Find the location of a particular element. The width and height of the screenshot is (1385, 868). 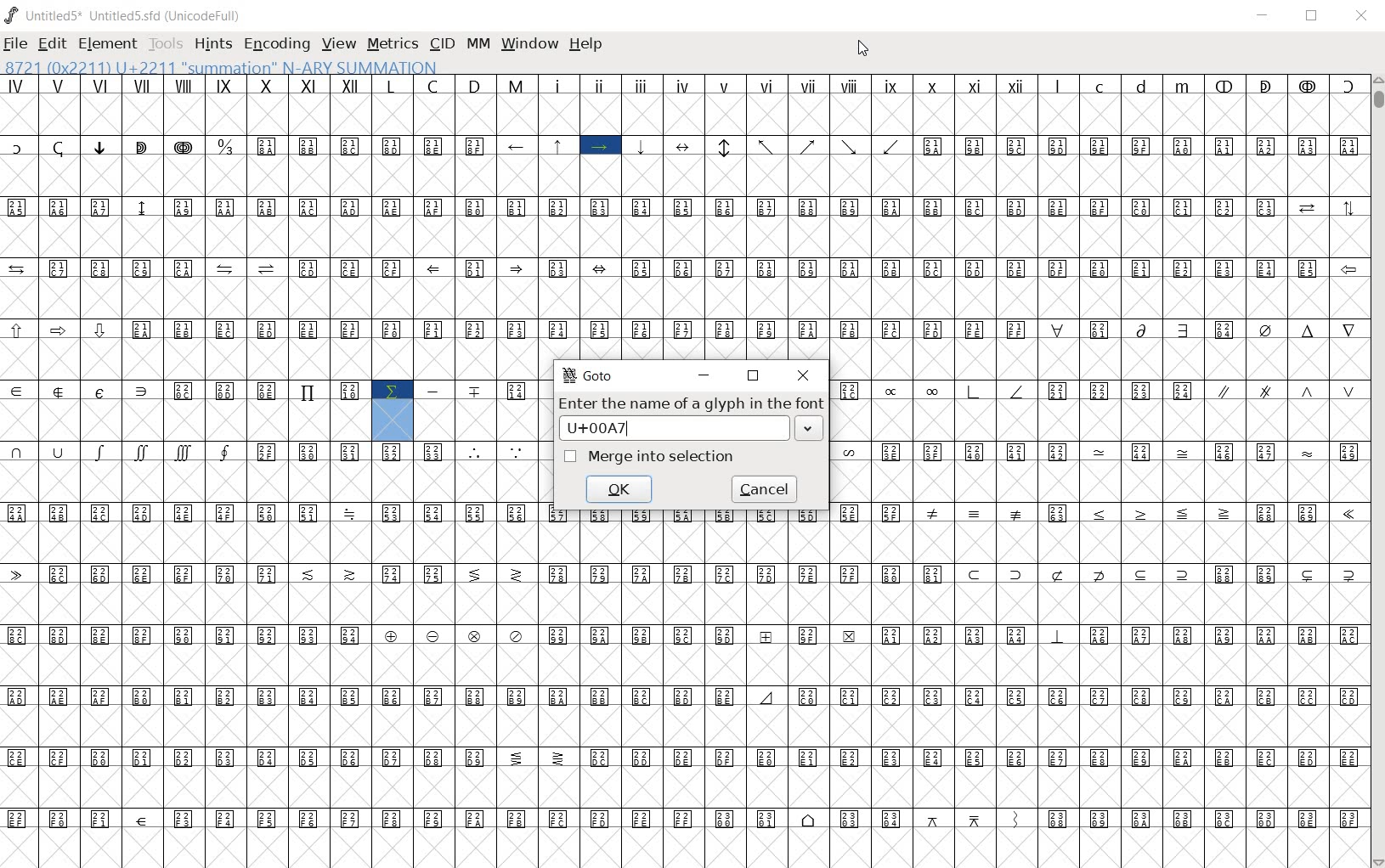

empty cells is located at coordinates (685, 237).